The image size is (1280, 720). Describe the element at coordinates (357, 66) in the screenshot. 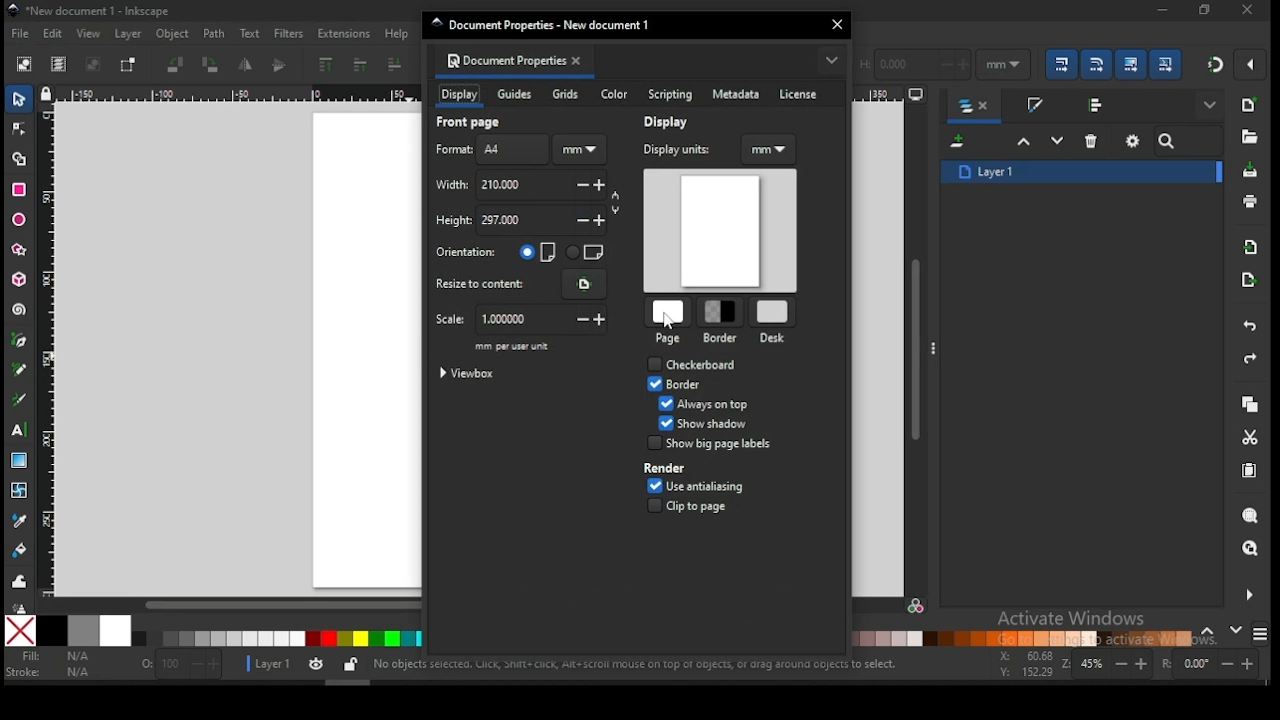

I see `raise` at that location.